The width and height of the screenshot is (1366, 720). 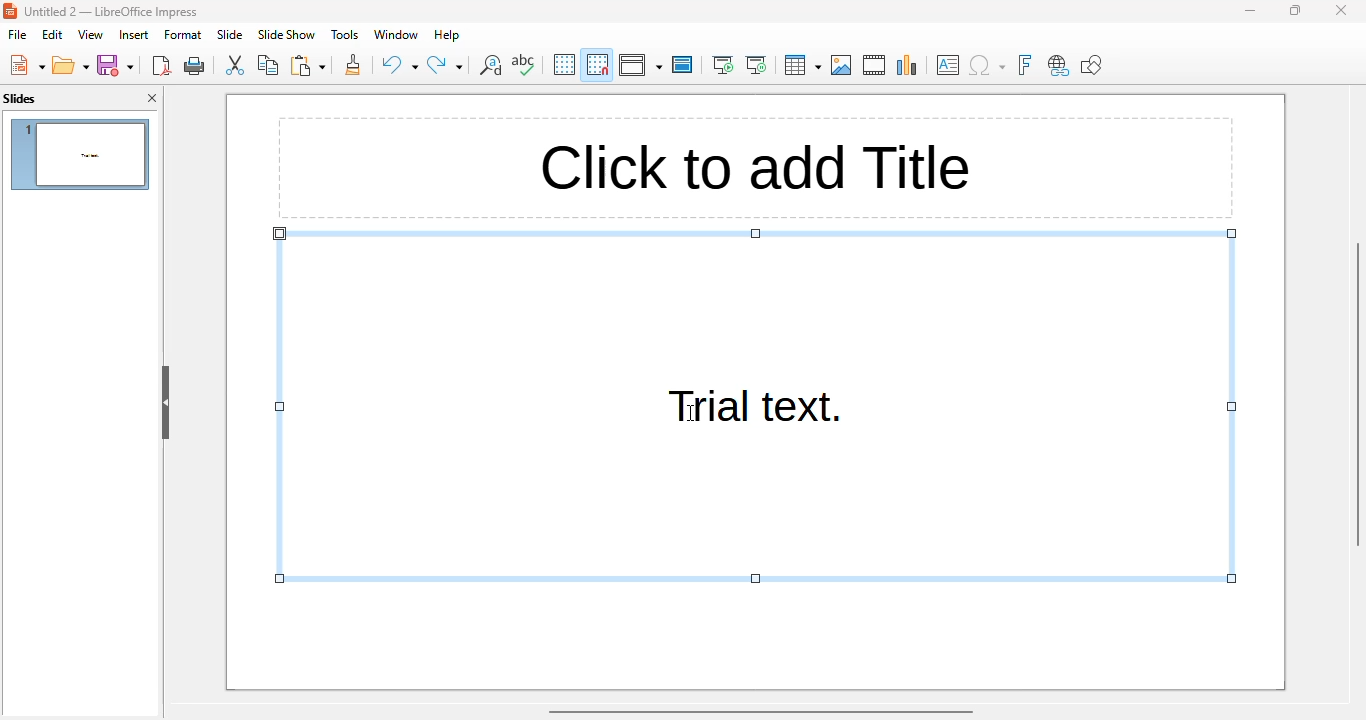 I want to click on new, so click(x=26, y=64).